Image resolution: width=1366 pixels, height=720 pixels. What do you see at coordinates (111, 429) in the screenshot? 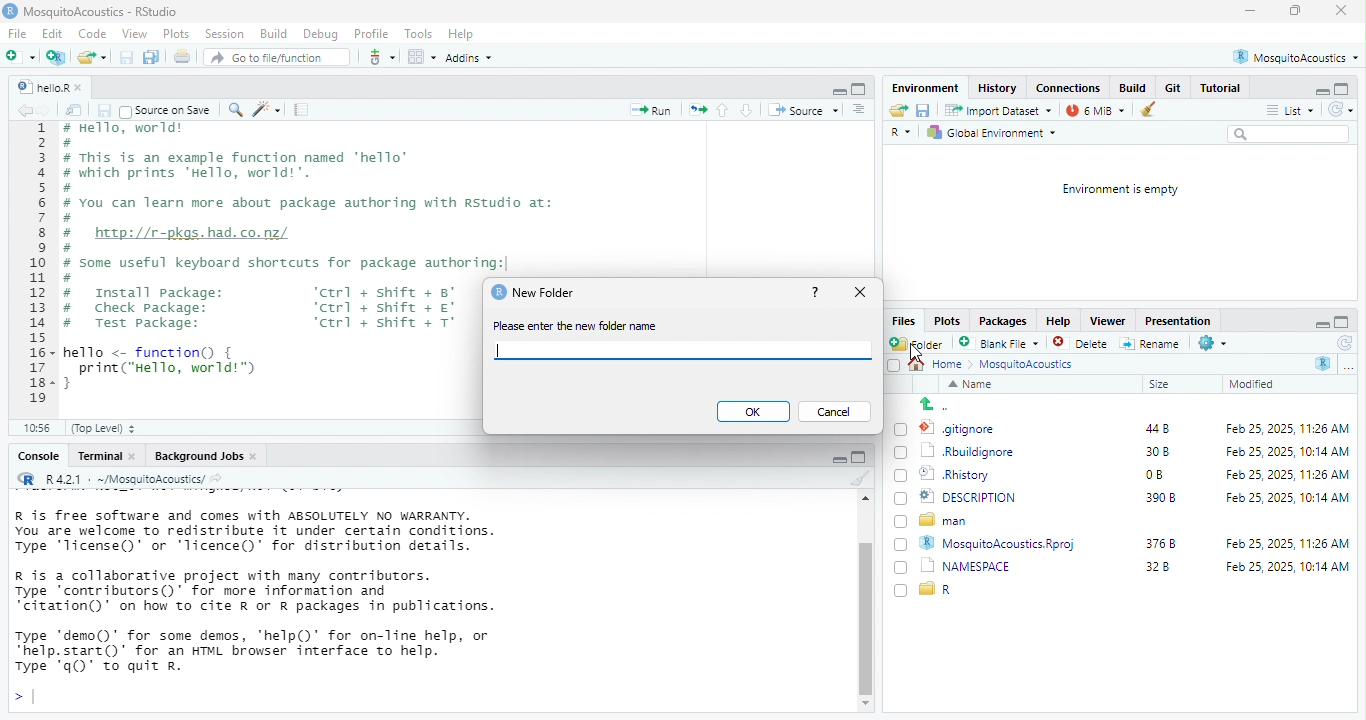
I see `(Top Level) ` at bounding box center [111, 429].